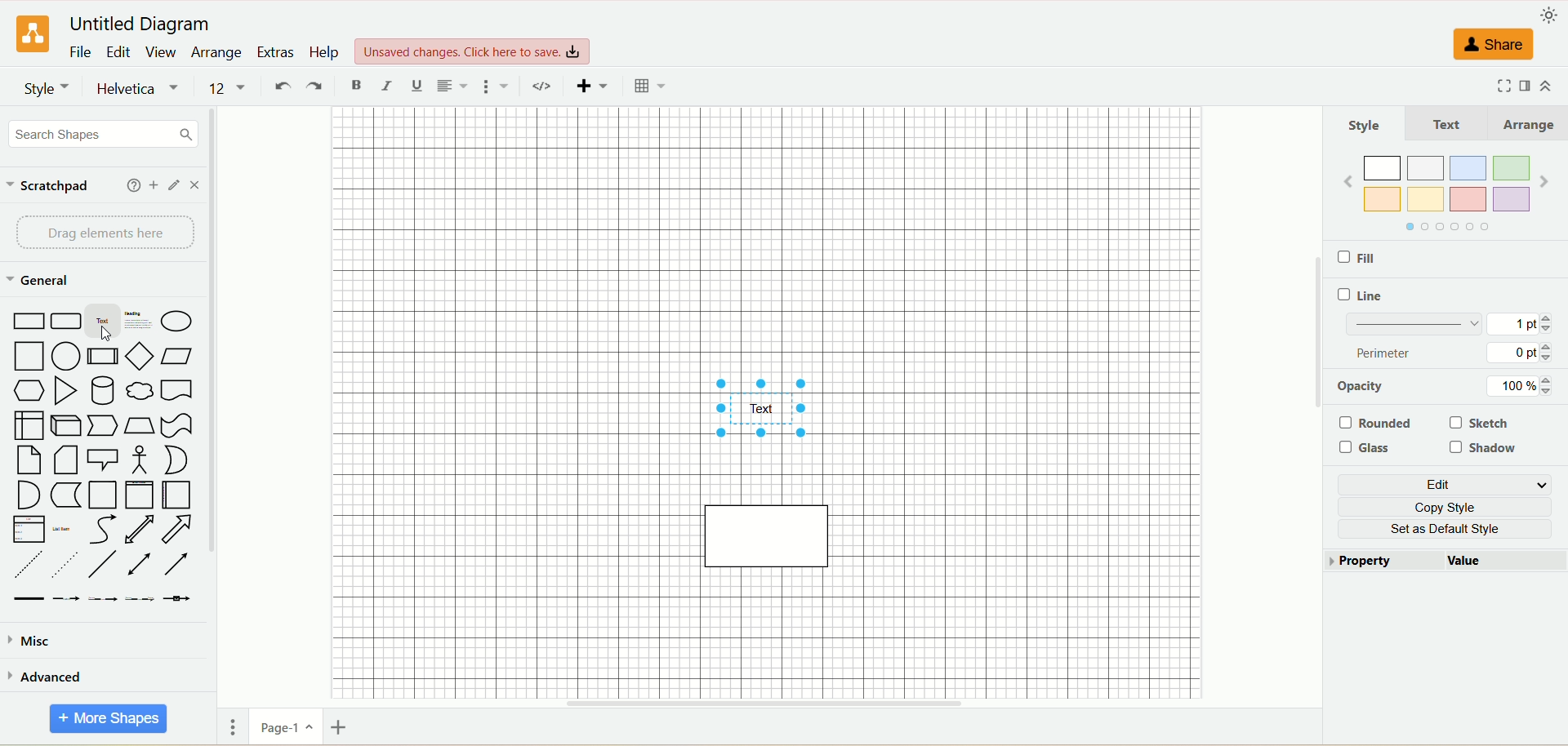 The width and height of the screenshot is (1568, 746). Describe the element at coordinates (283, 88) in the screenshot. I see `undo` at that location.